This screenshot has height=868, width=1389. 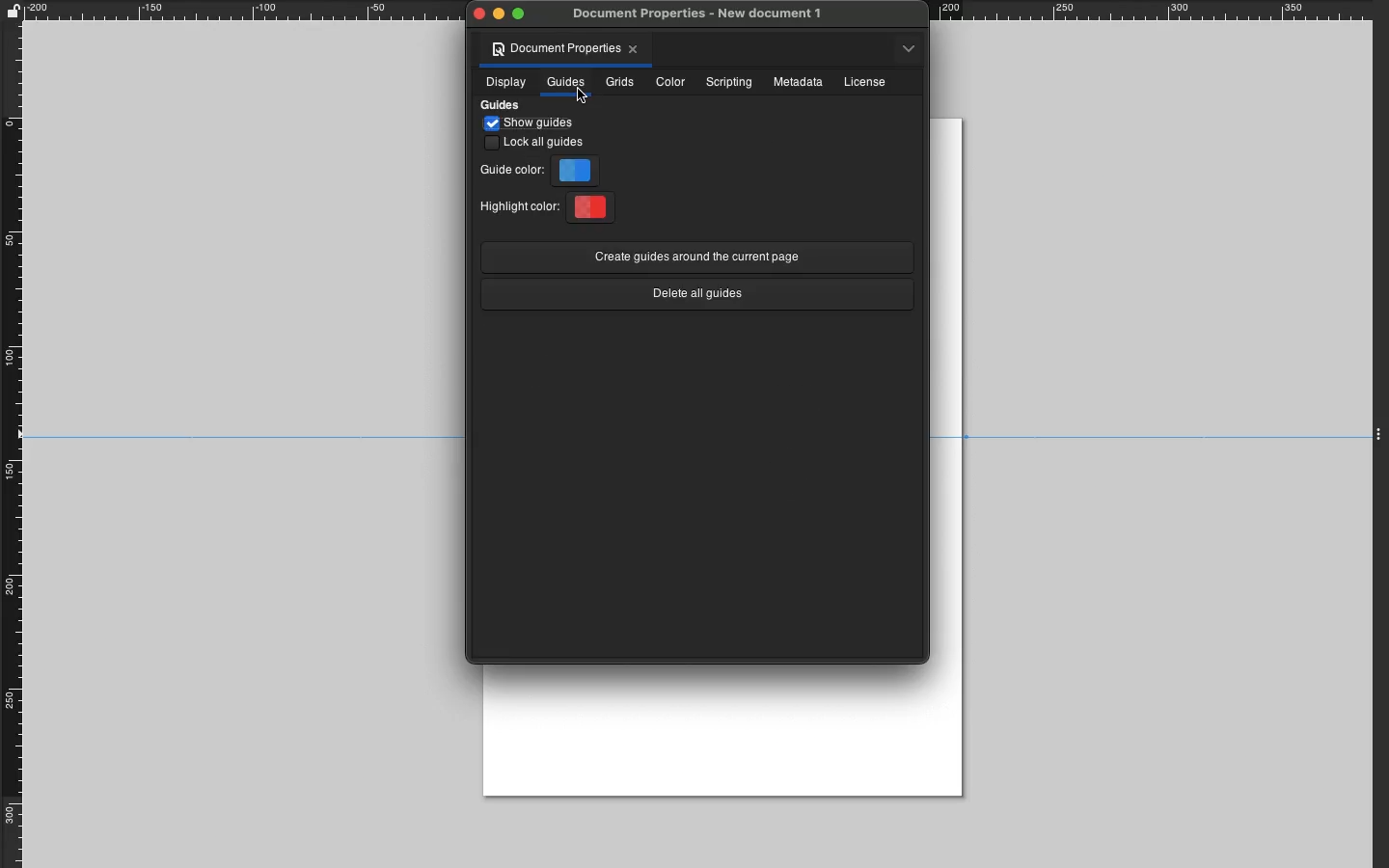 What do you see at coordinates (671, 81) in the screenshot?
I see `Color` at bounding box center [671, 81].